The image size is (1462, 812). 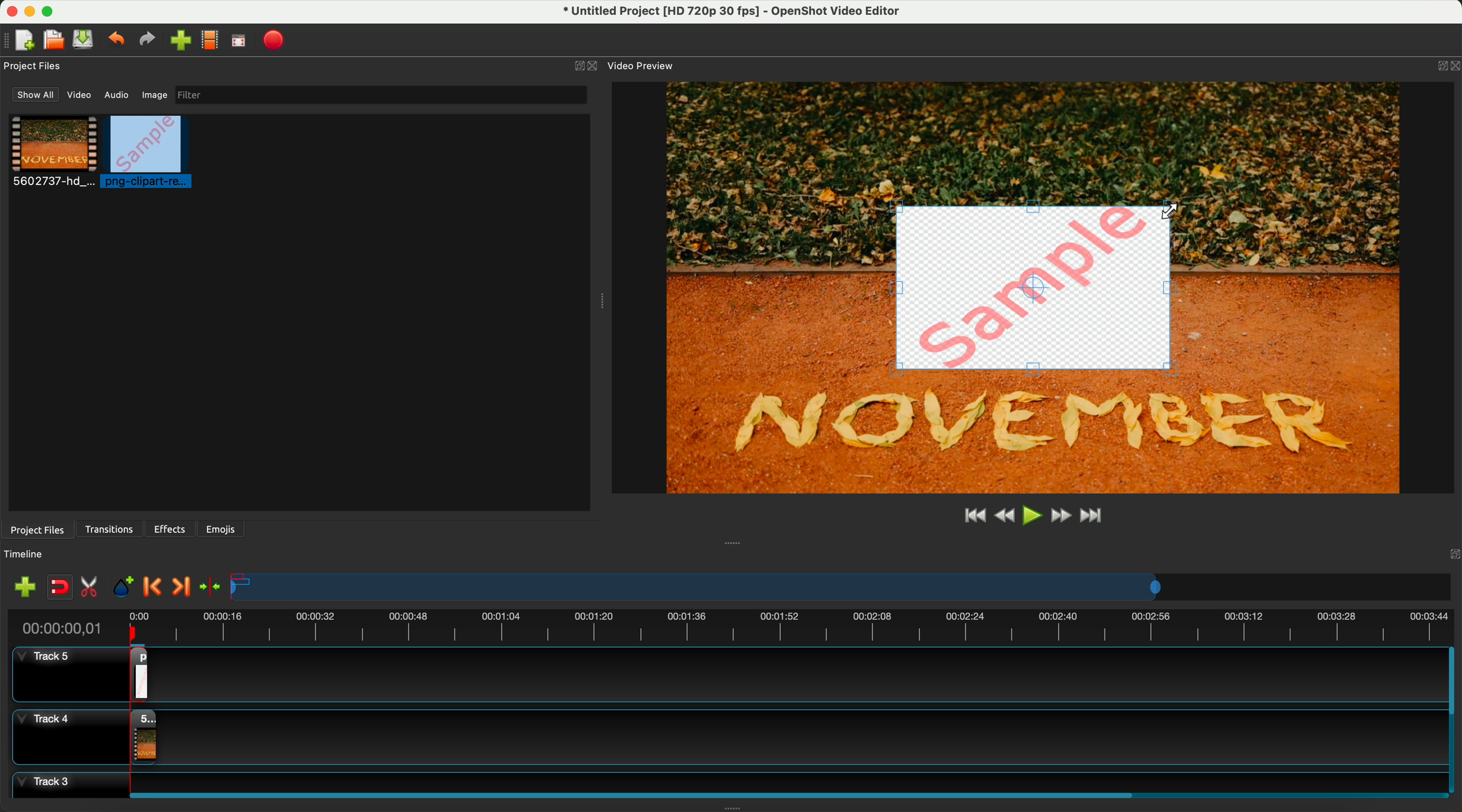 I want to click on add mark, so click(x=126, y=589).